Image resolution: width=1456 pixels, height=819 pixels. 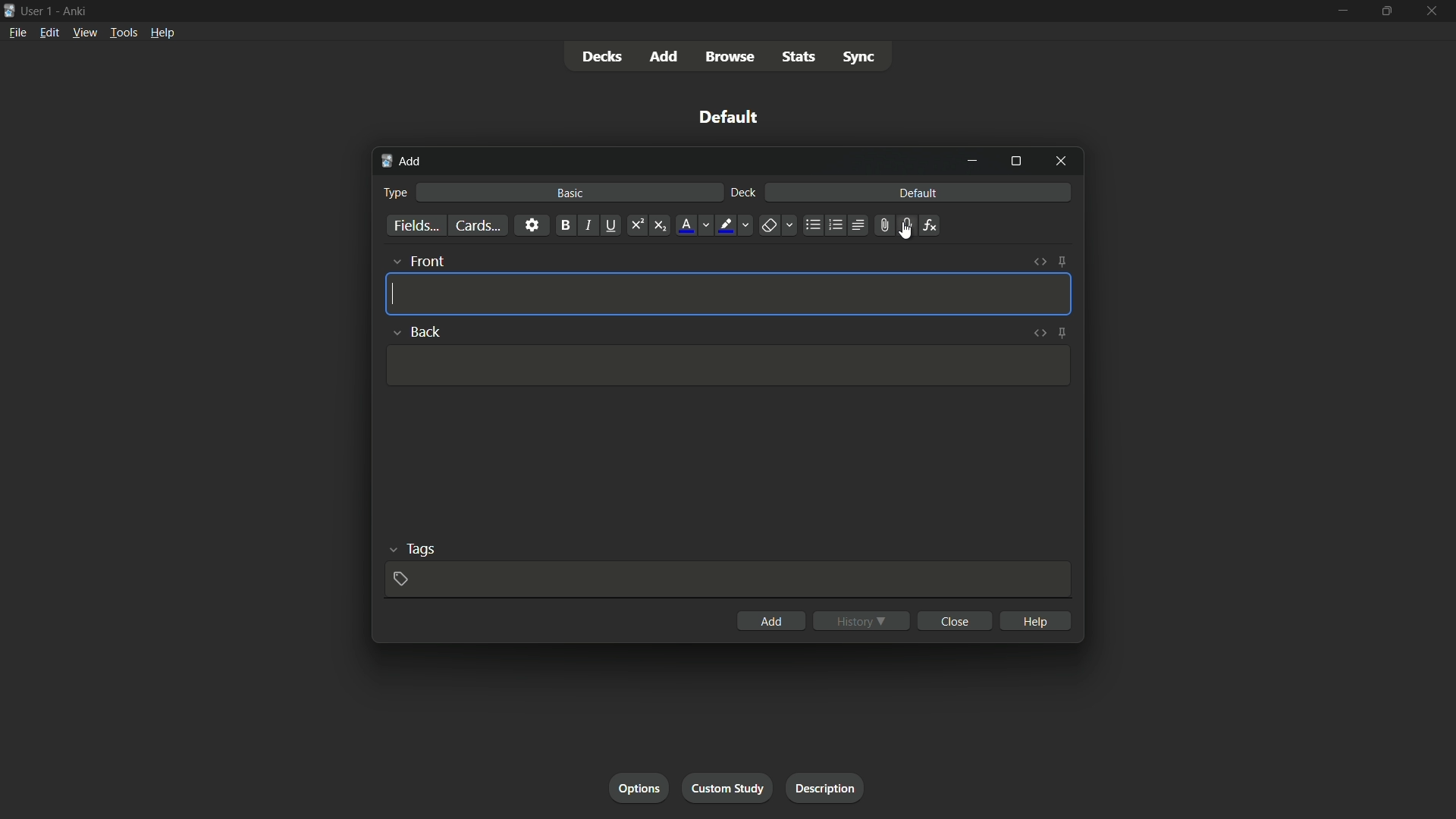 I want to click on view menu, so click(x=85, y=33).